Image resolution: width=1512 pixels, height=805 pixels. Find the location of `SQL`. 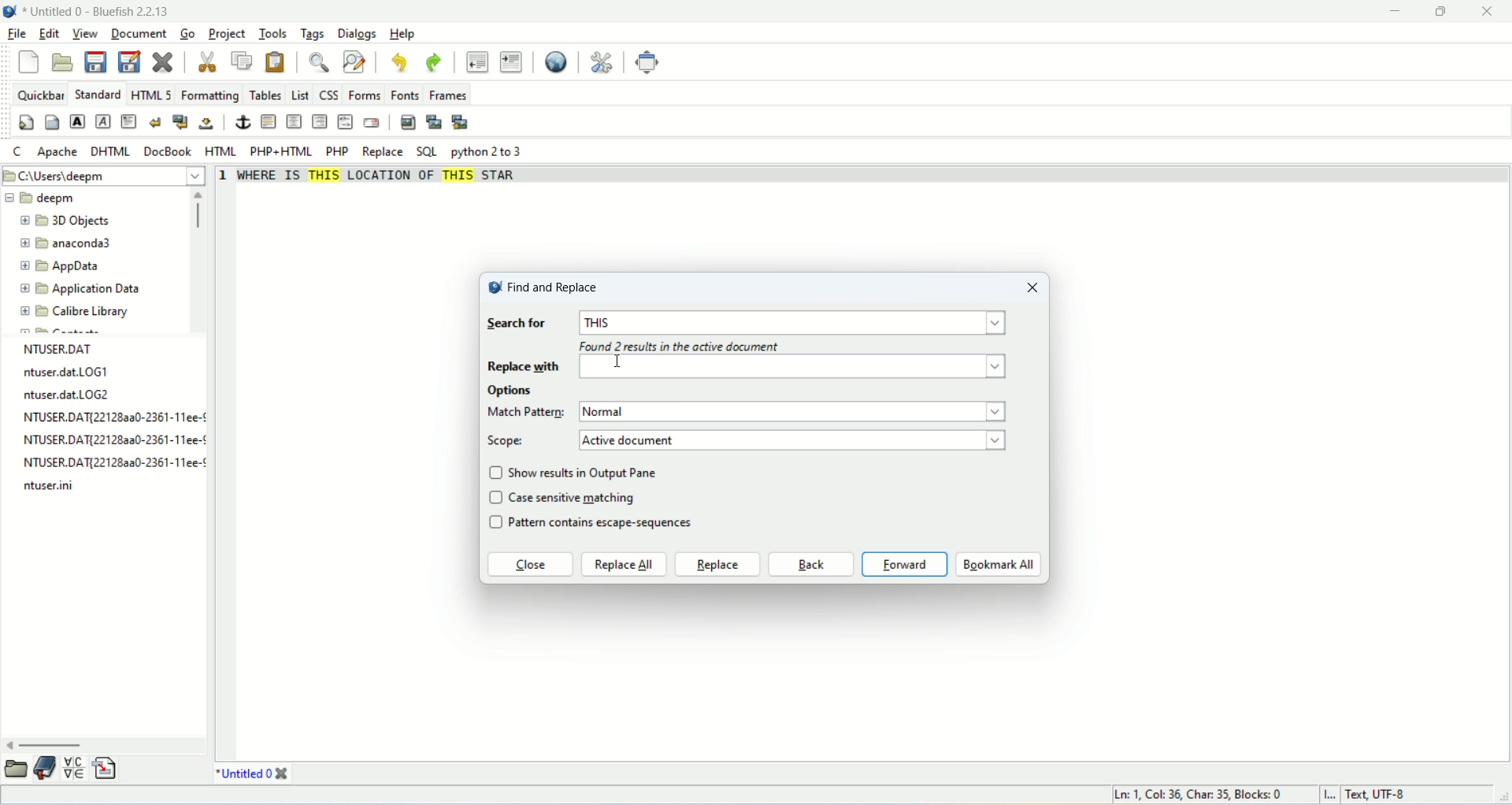

SQL is located at coordinates (426, 152).